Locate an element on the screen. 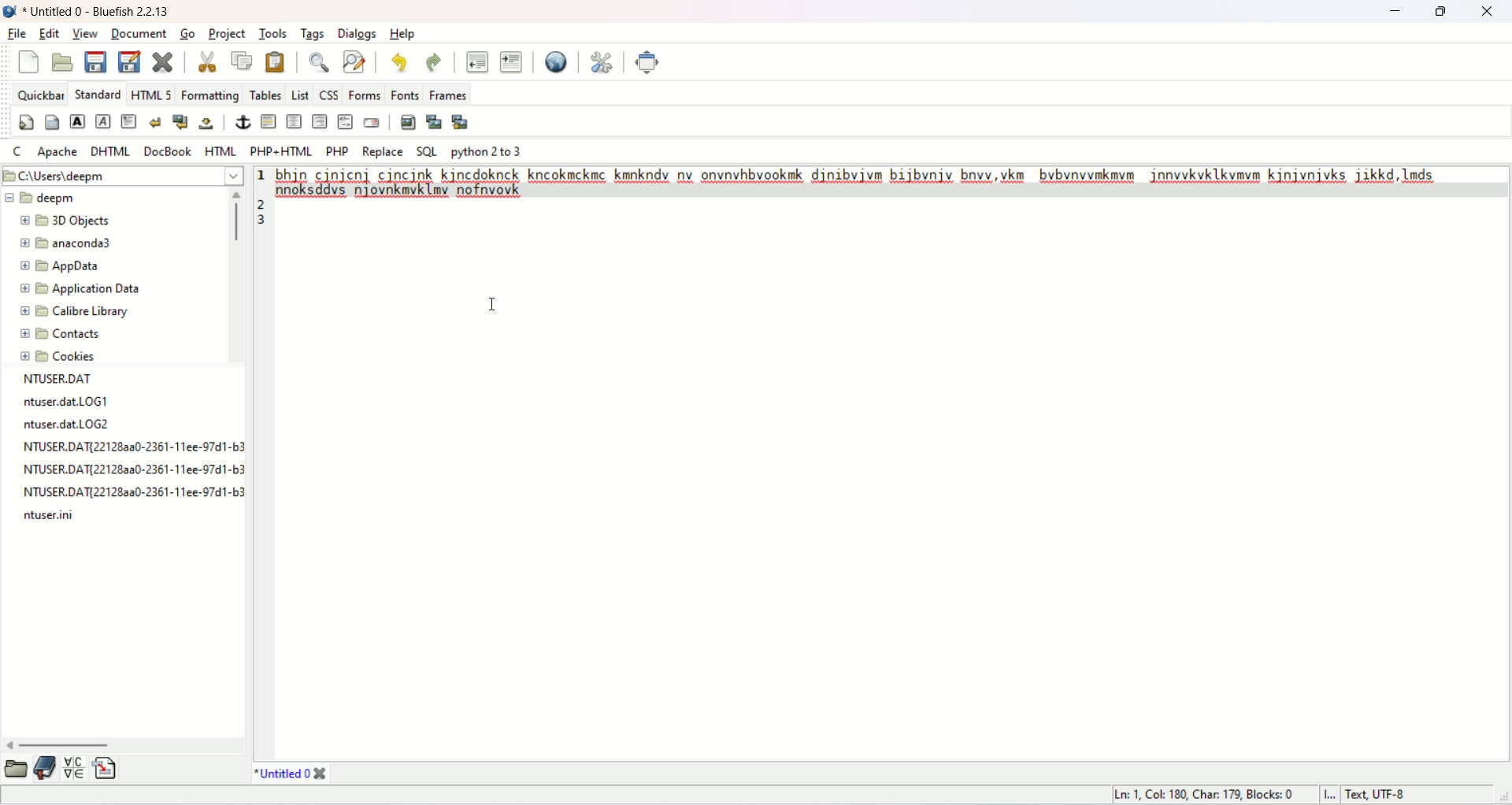 The width and height of the screenshot is (1512, 805). browse in web is located at coordinates (554, 62).